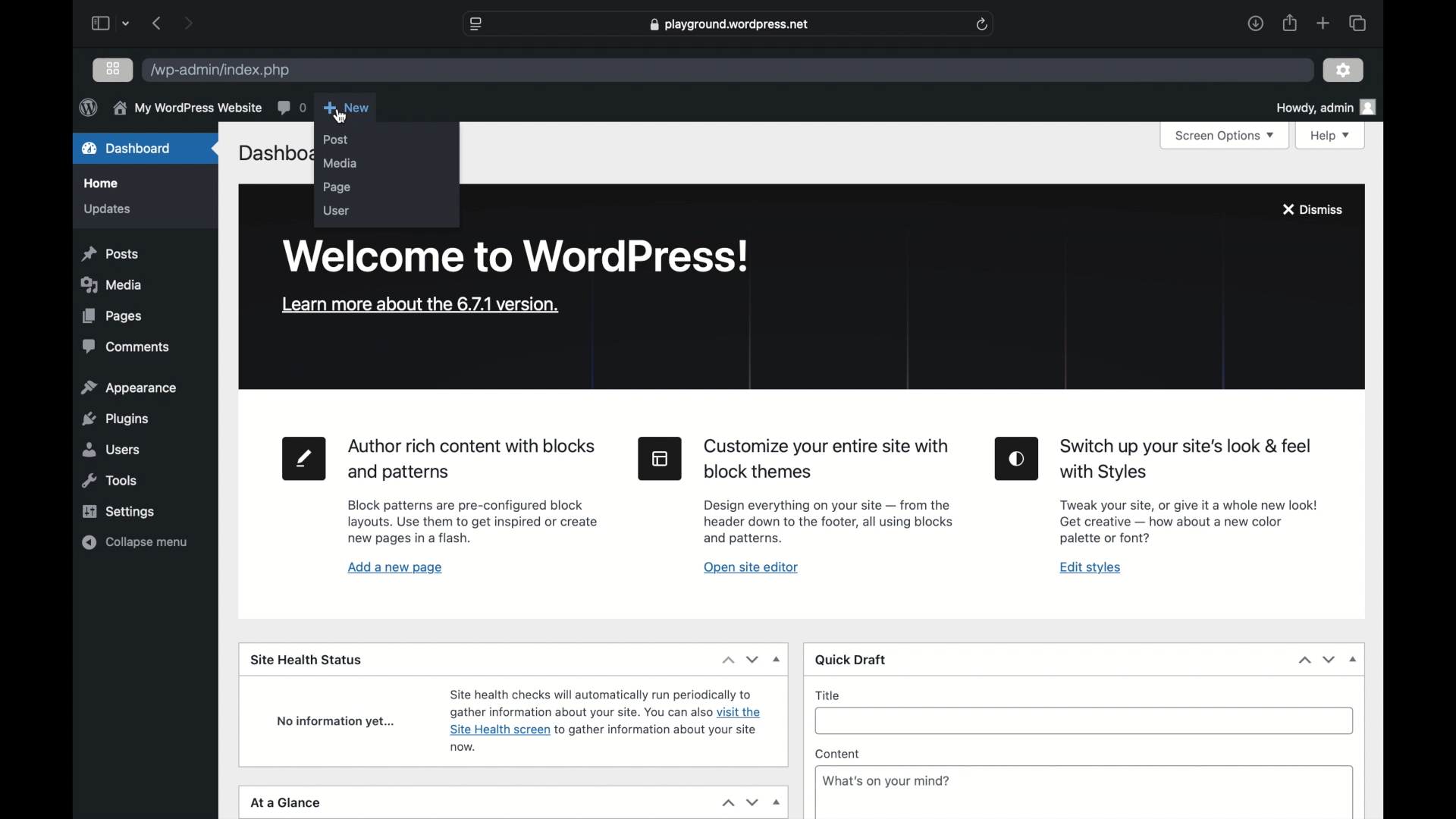 This screenshot has width=1456, height=819. I want to click on stepper buttons, so click(740, 660).